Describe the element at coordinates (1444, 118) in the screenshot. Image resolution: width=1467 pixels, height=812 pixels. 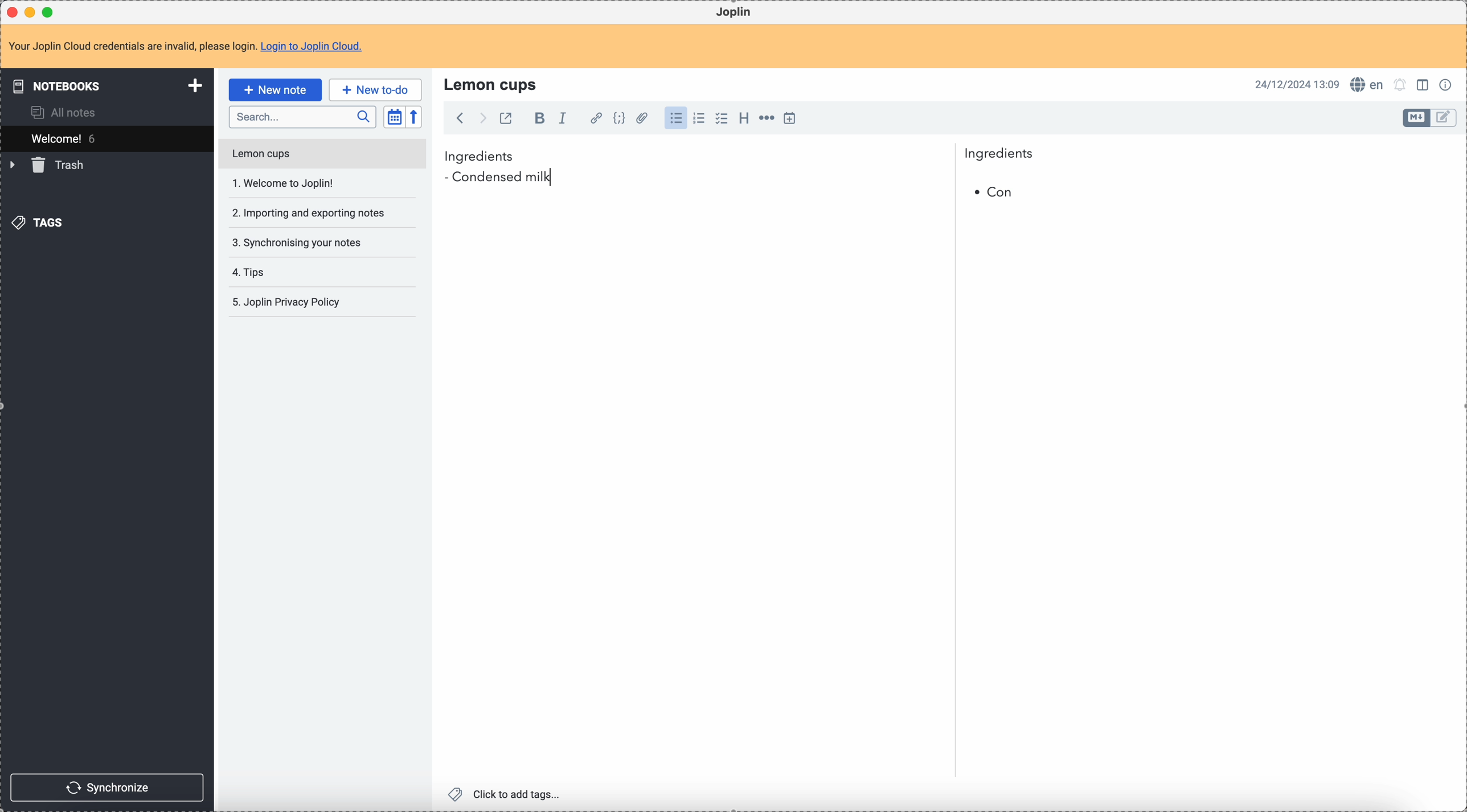
I see `toggle edit layout` at that location.